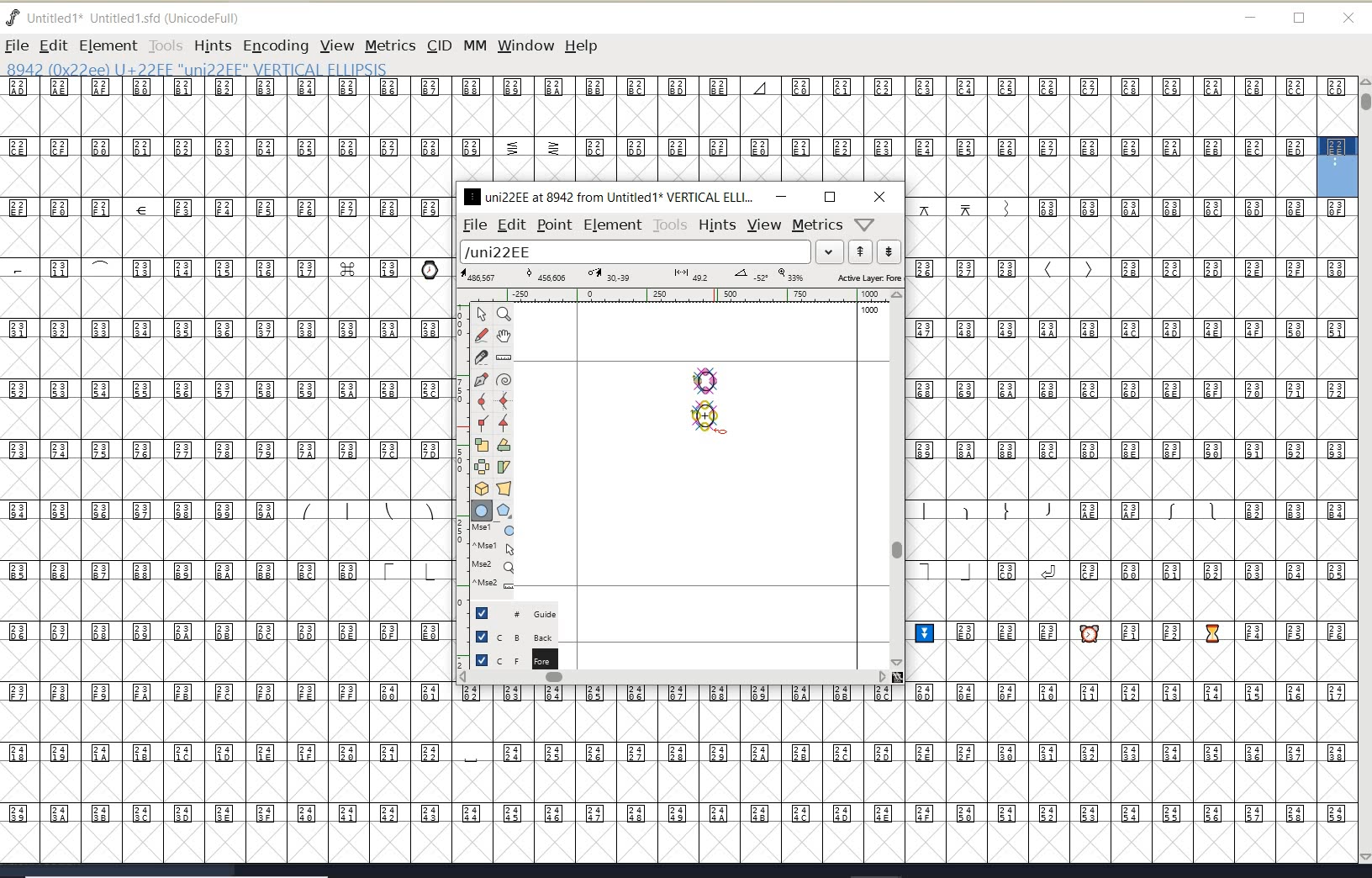 The image size is (1372, 878). Describe the element at coordinates (876, 253) in the screenshot. I see `show previous/next word list` at that location.